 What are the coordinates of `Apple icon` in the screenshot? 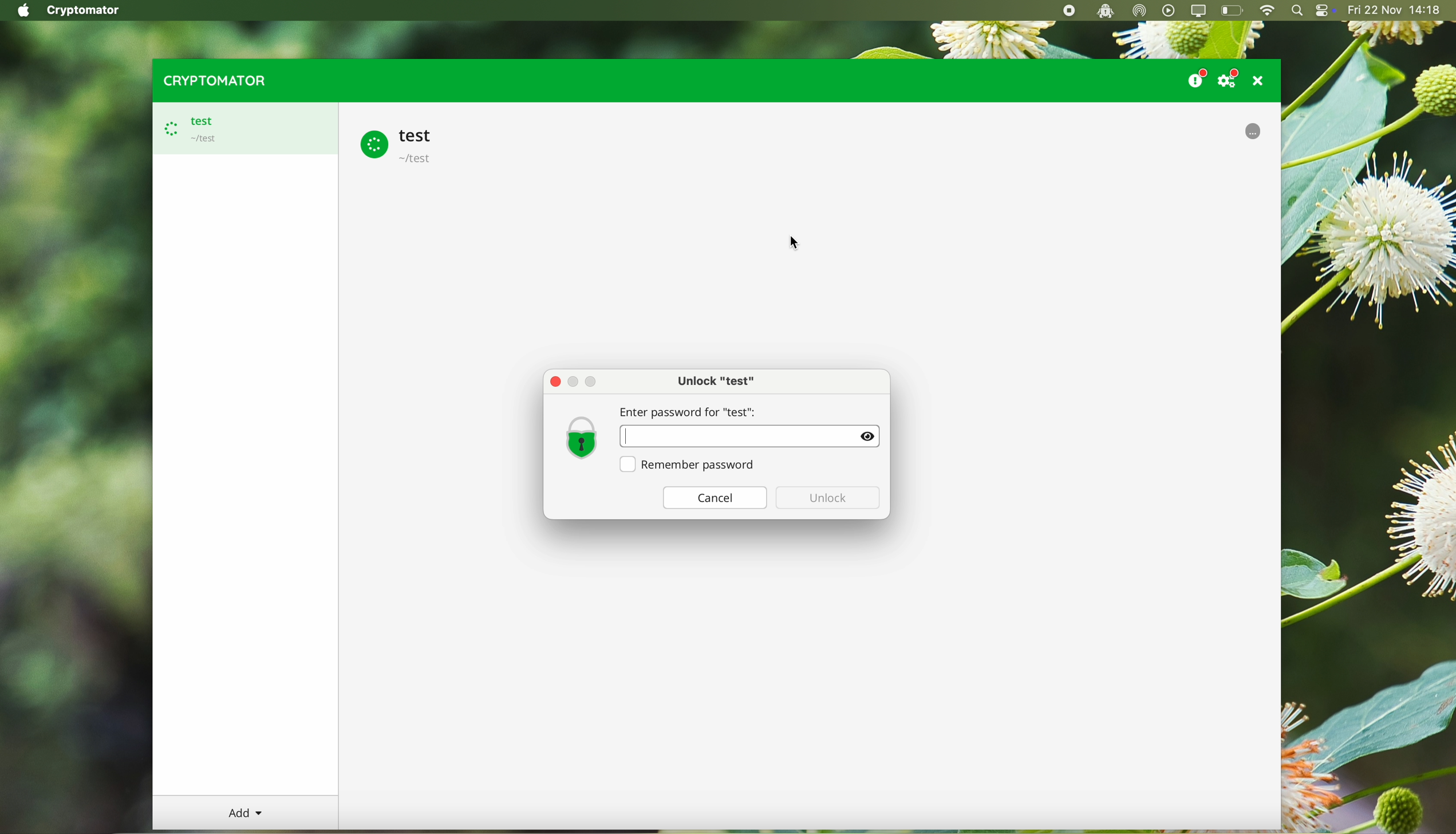 It's located at (20, 10).